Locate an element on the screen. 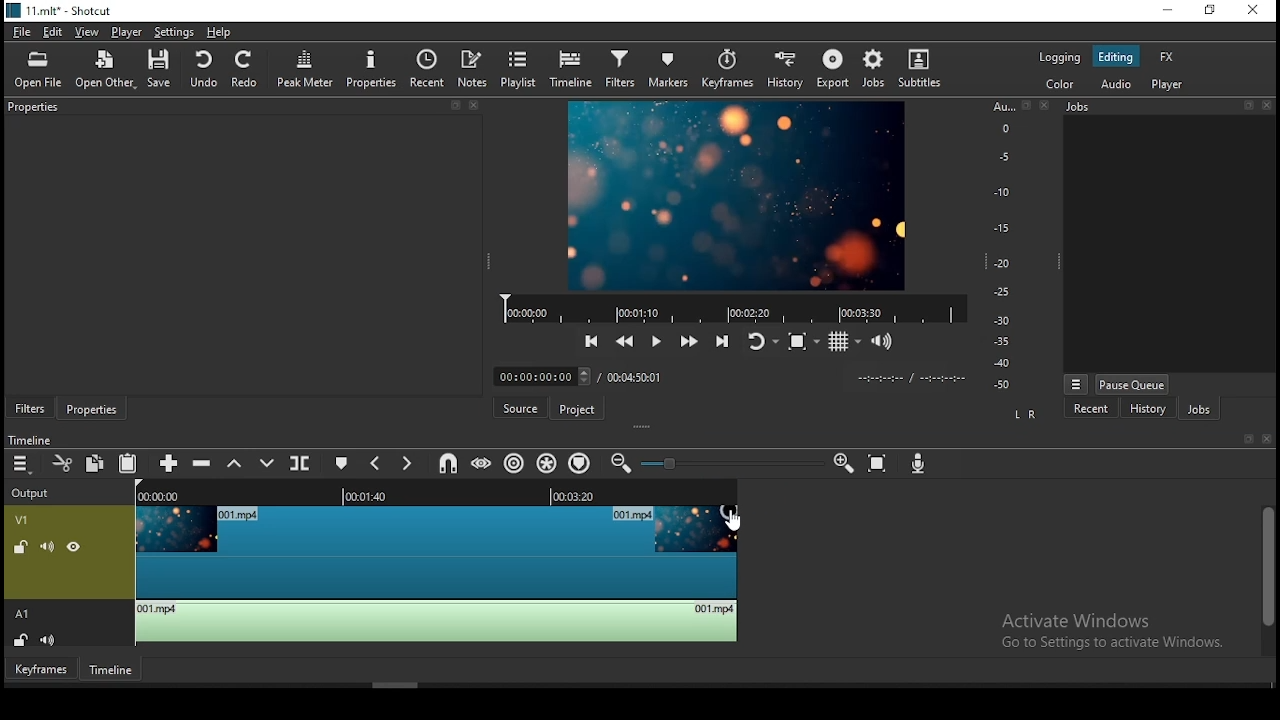 Image resolution: width=1280 pixels, height=720 pixels. toggle player after looping is located at coordinates (760, 344).